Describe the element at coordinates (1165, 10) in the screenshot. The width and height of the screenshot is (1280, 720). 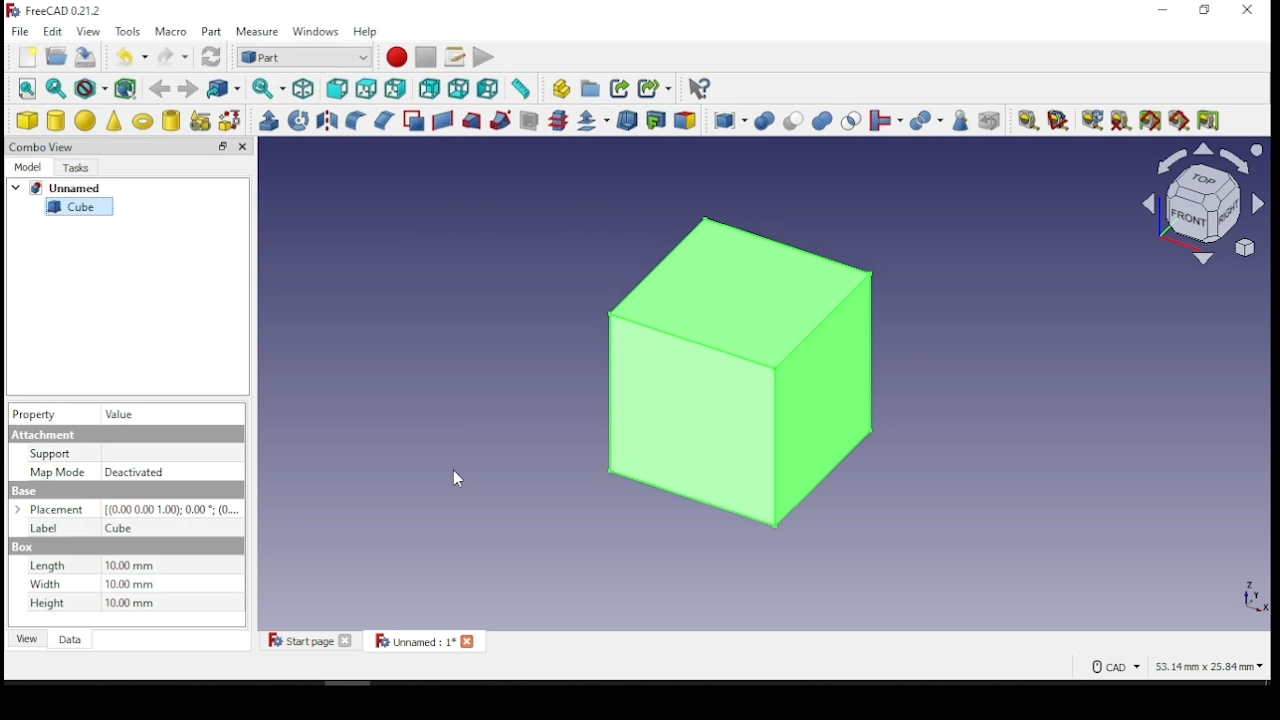
I see `minimize` at that location.